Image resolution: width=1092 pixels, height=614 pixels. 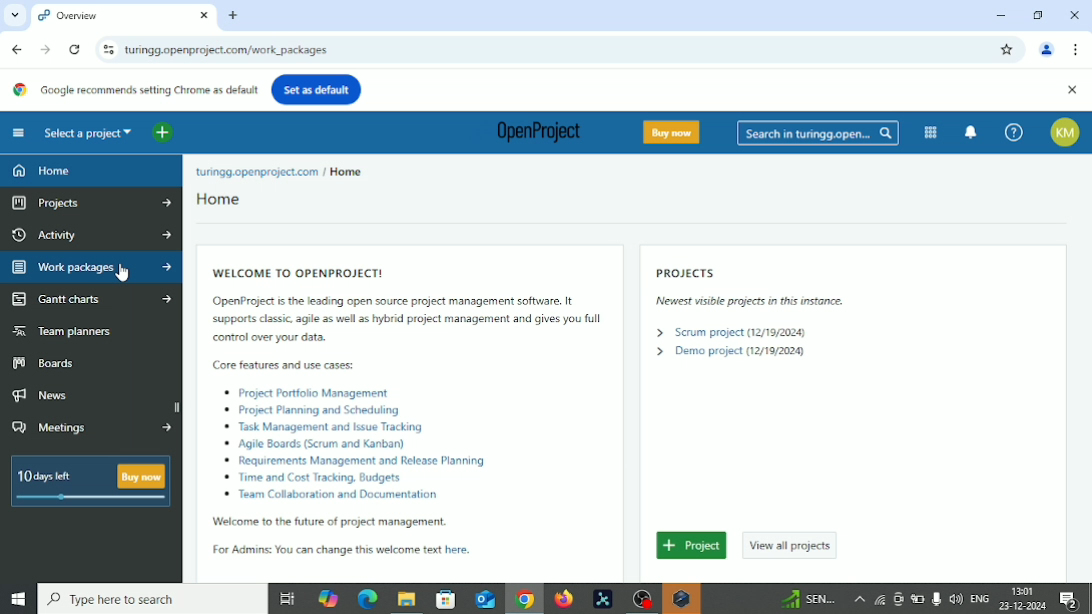 I want to click on Modules, so click(x=930, y=132).